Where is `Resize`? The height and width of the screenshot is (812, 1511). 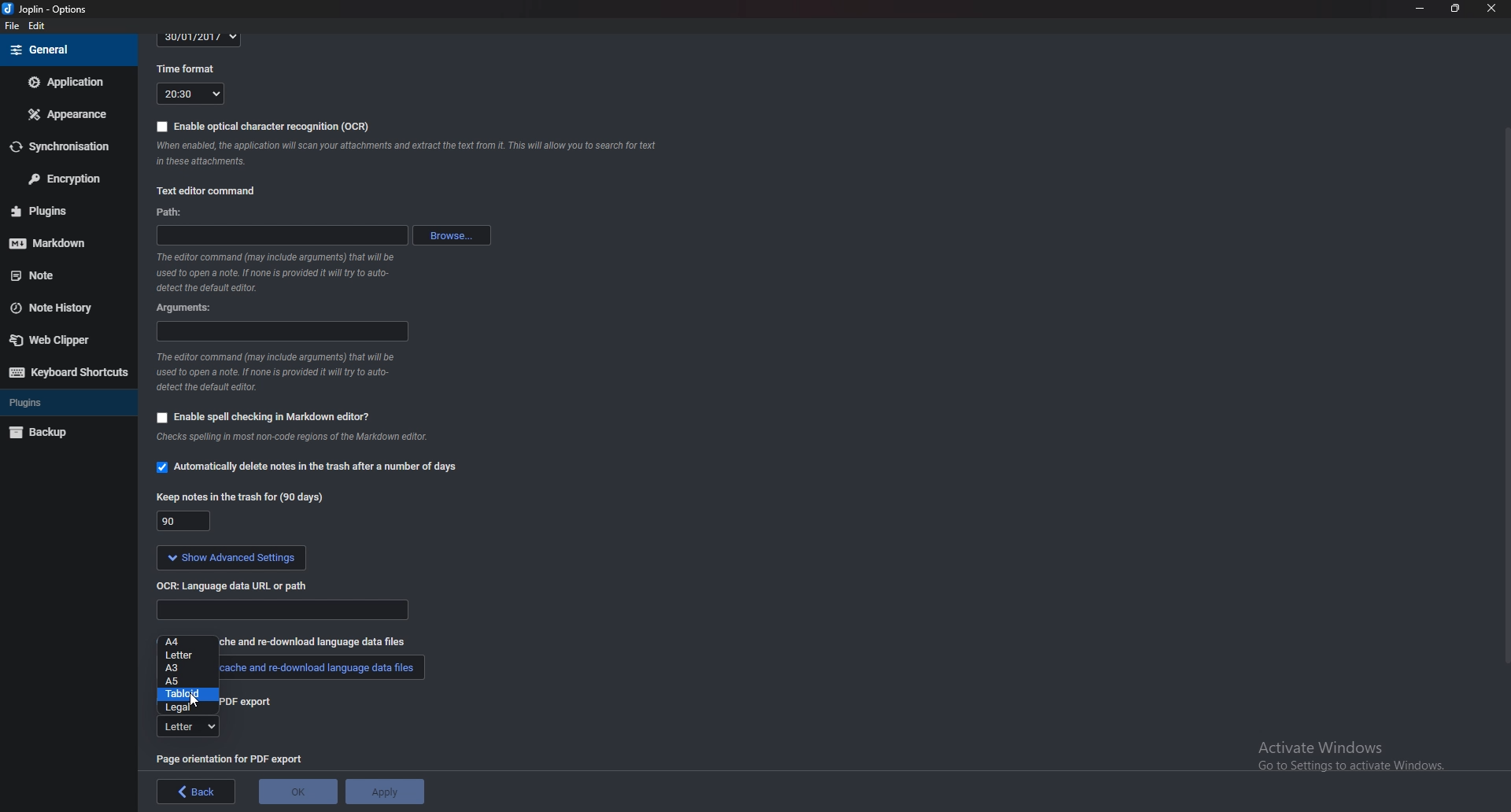
Resize is located at coordinates (1456, 8).